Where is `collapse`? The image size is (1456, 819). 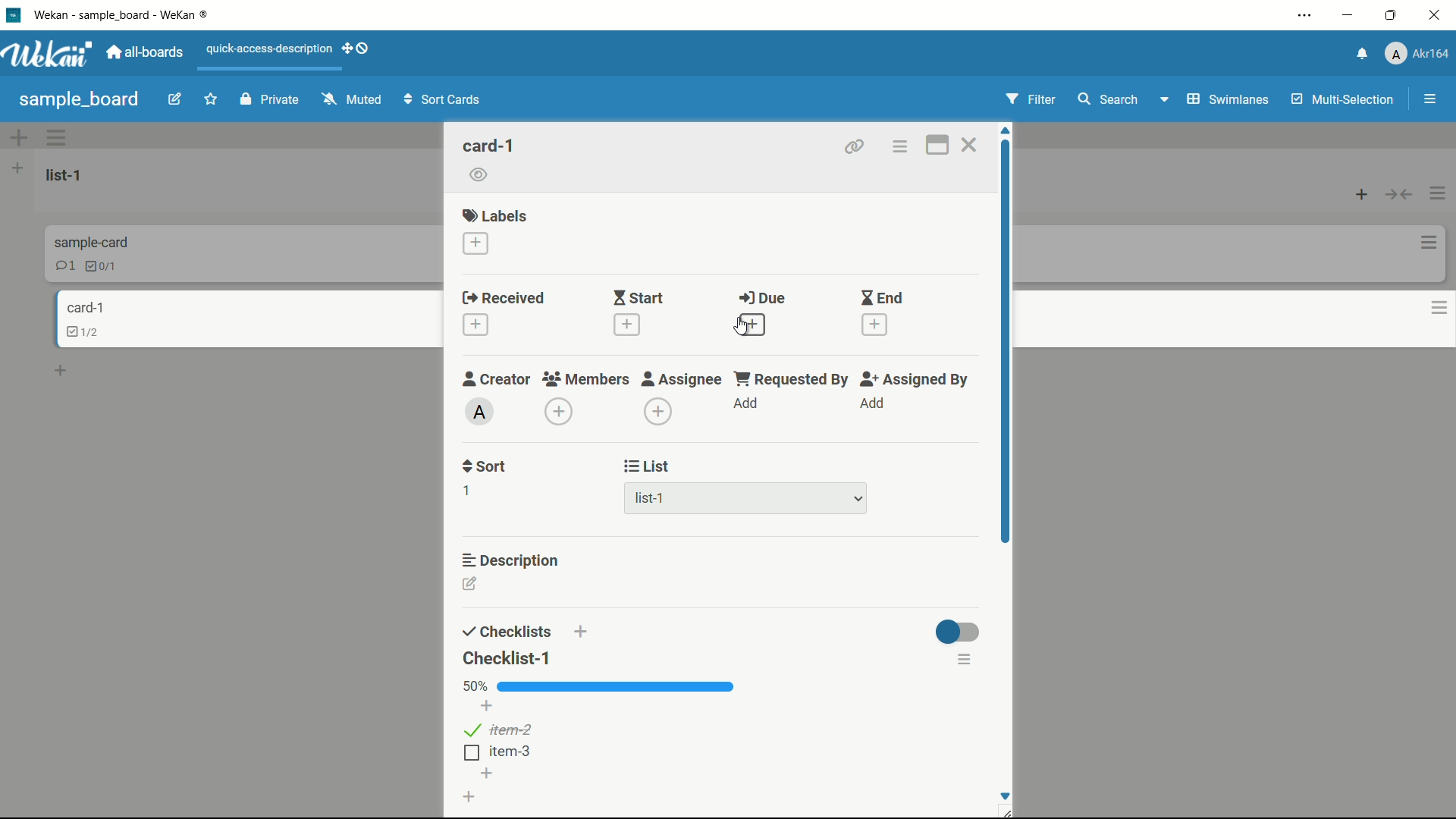 collapse is located at coordinates (1398, 190).